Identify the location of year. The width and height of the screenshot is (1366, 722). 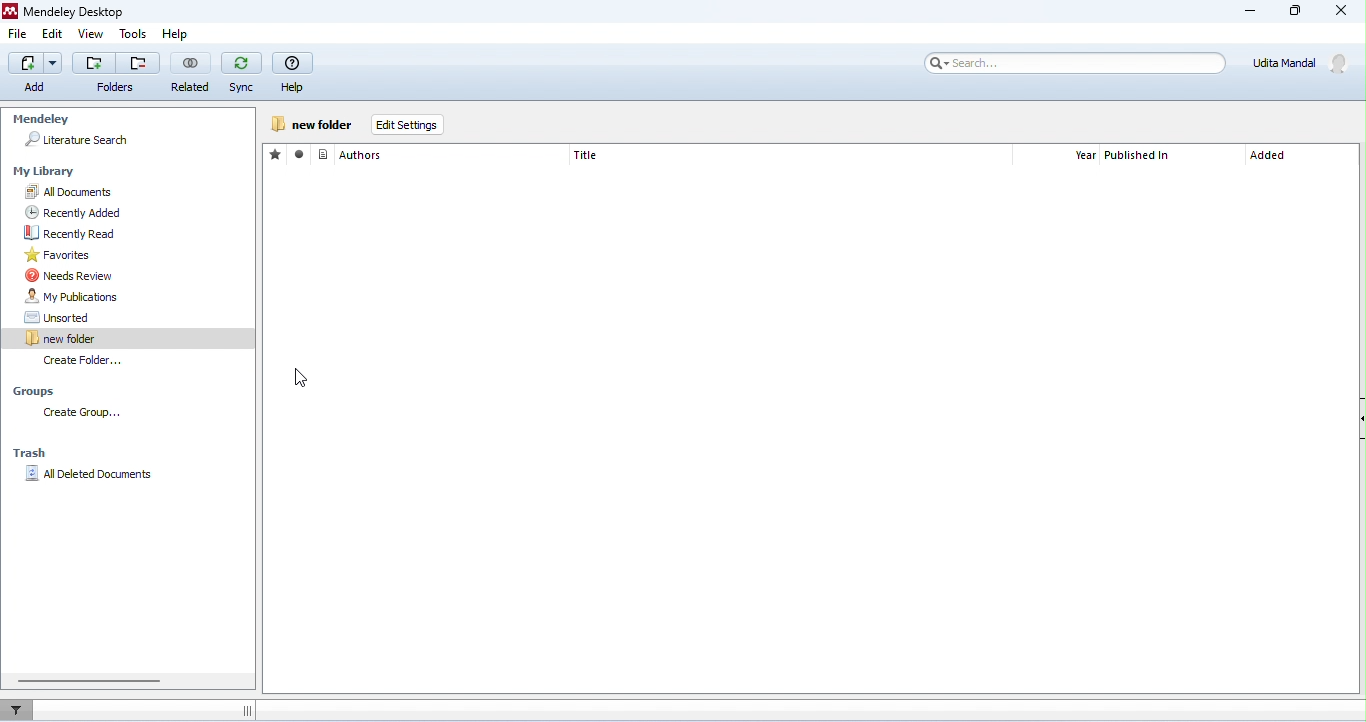
(1085, 156).